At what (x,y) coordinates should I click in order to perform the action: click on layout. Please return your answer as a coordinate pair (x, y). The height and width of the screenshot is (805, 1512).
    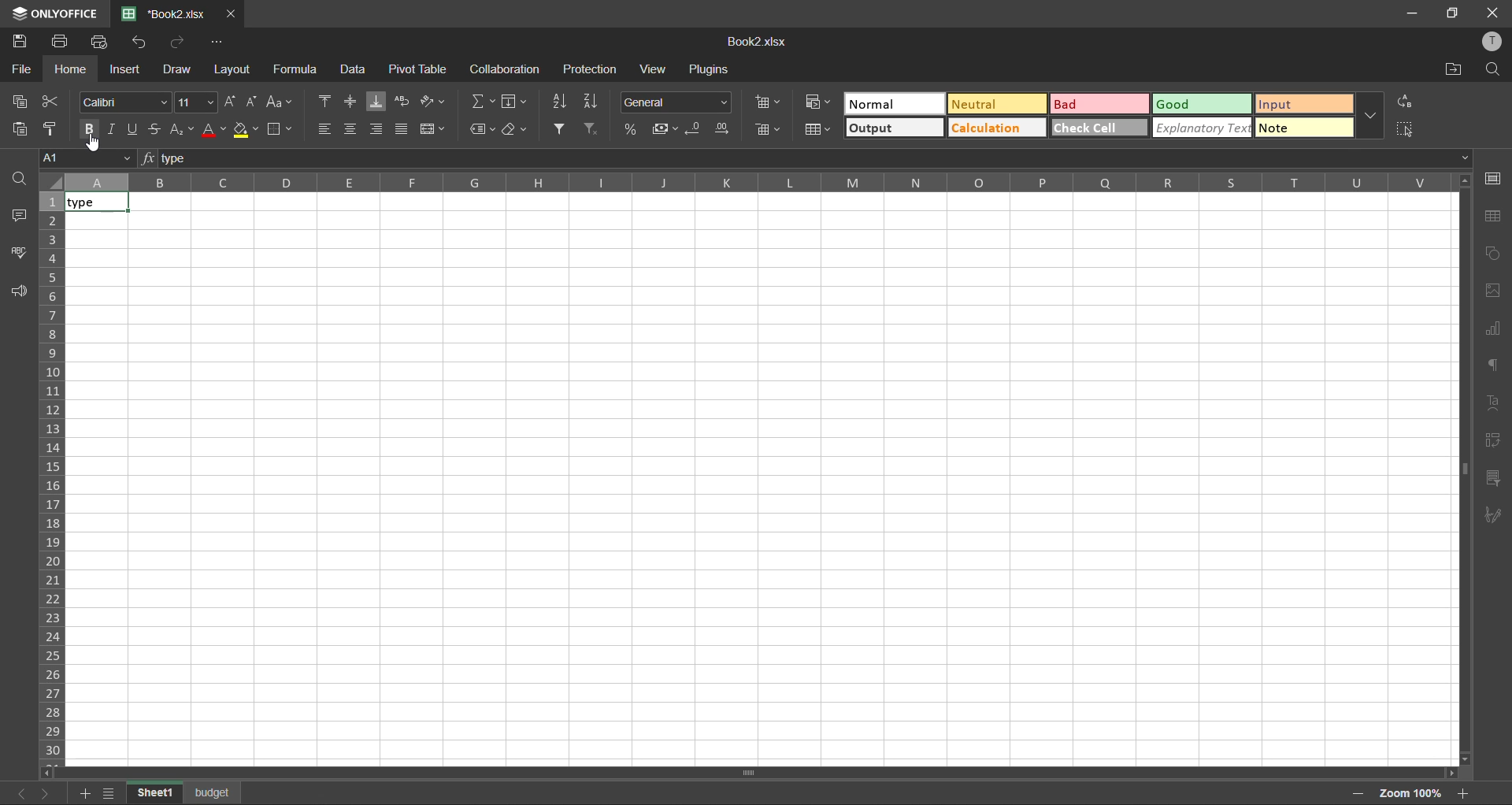
    Looking at the image, I should click on (235, 71).